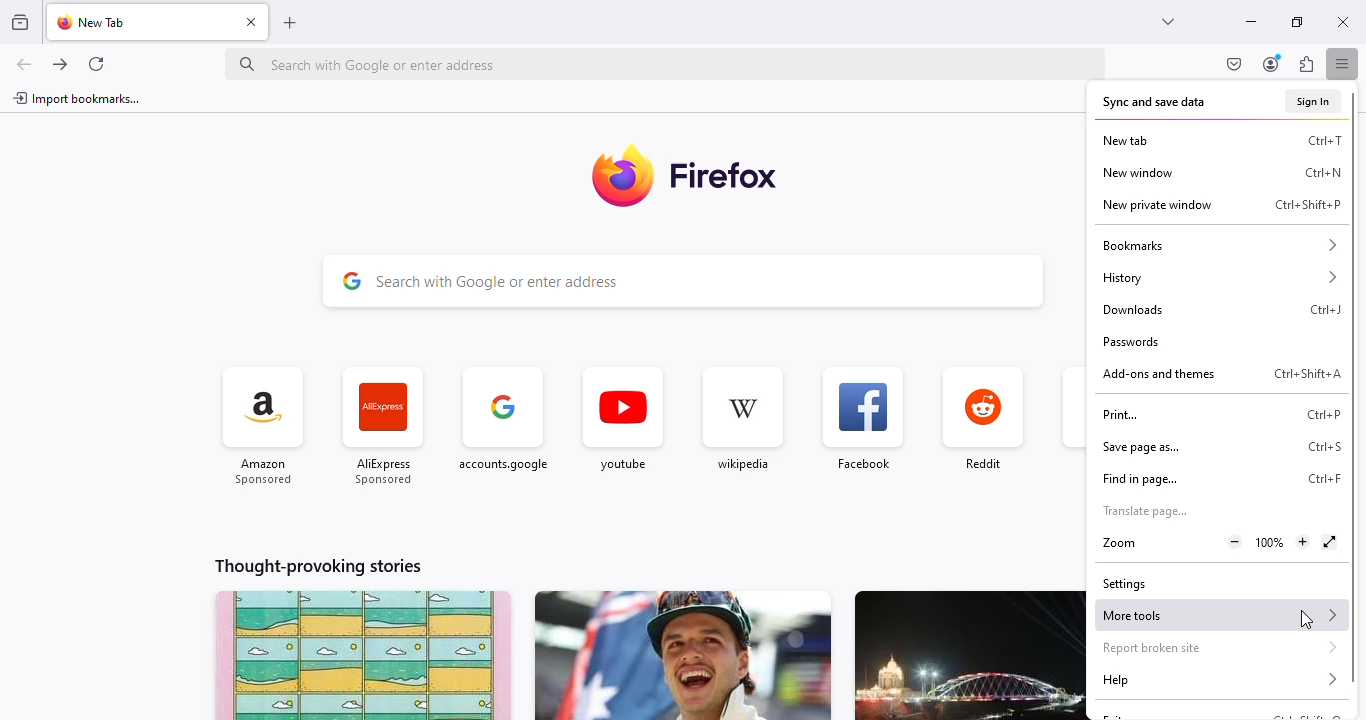 The height and width of the screenshot is (720, 1366). Describe the element at coordinates (78, 98) in the screenshot. I see `import bookmarks` at that location.